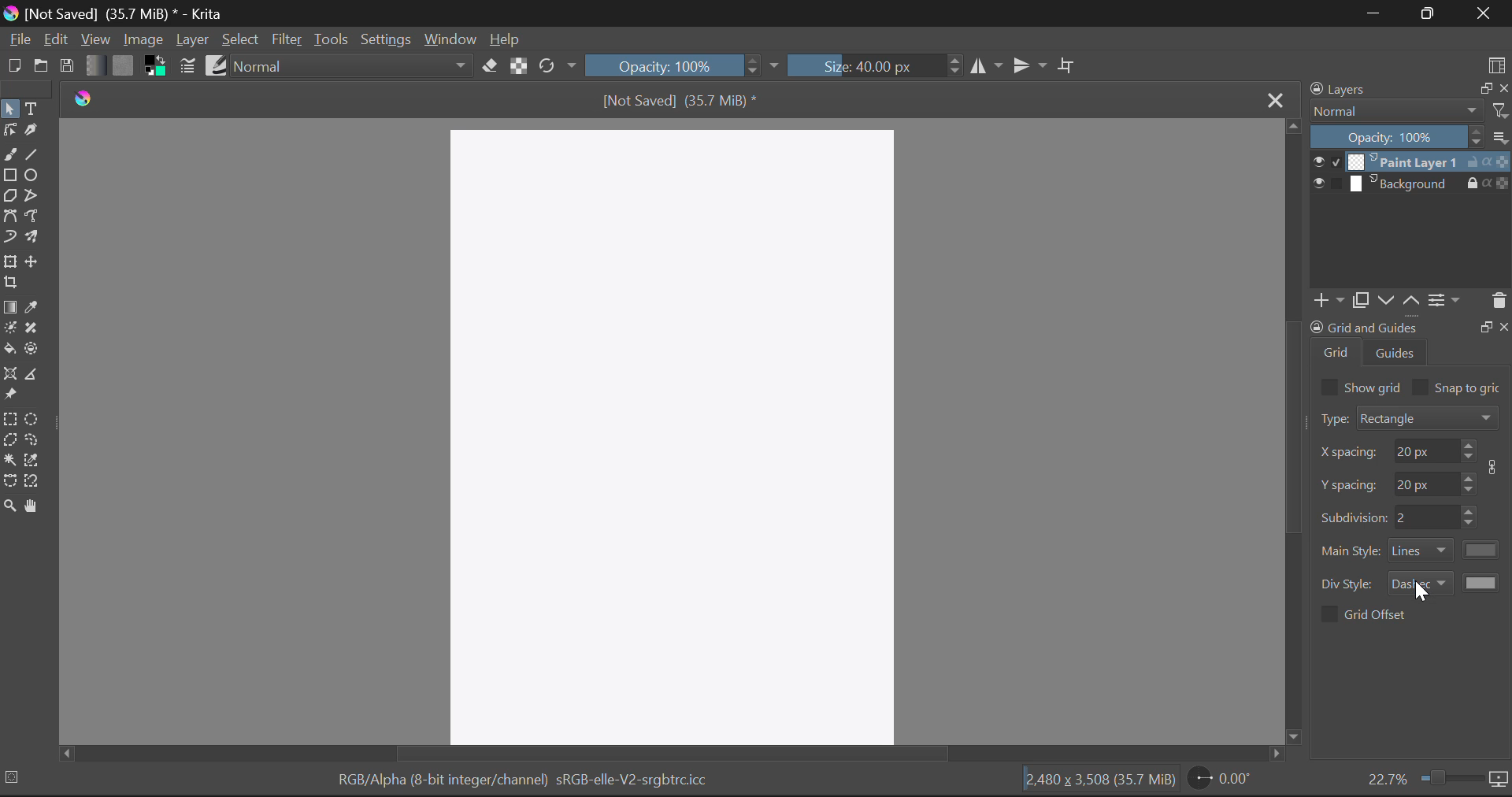 Image resolution: width=1512 pixels, height=797 pixels. Describe the element at coordinates (10, 481) in the screenshot. I see `Bezier Curve Selection` at that location.